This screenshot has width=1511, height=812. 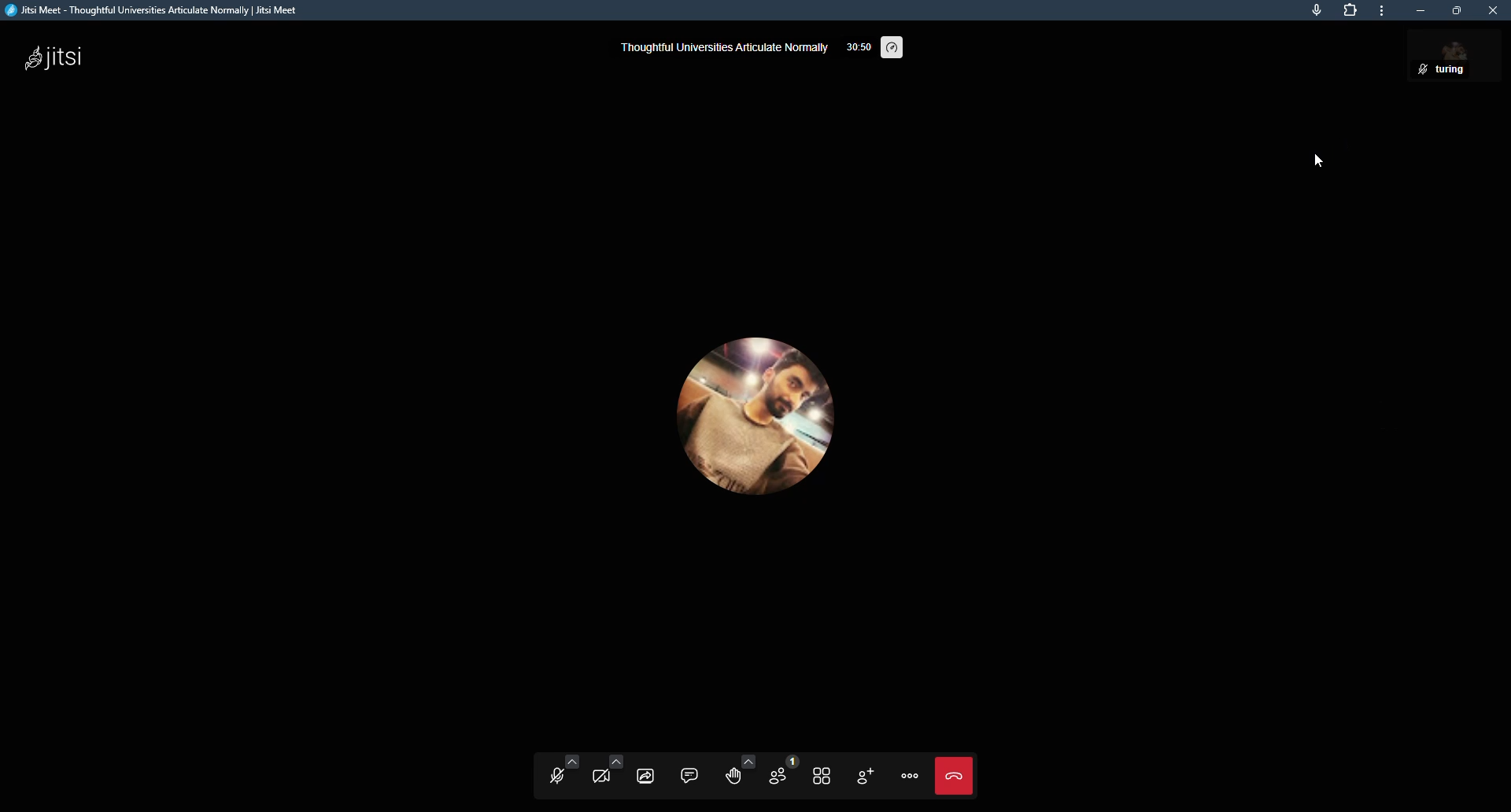 I want to click on invite people, so click(x=866, y=776).